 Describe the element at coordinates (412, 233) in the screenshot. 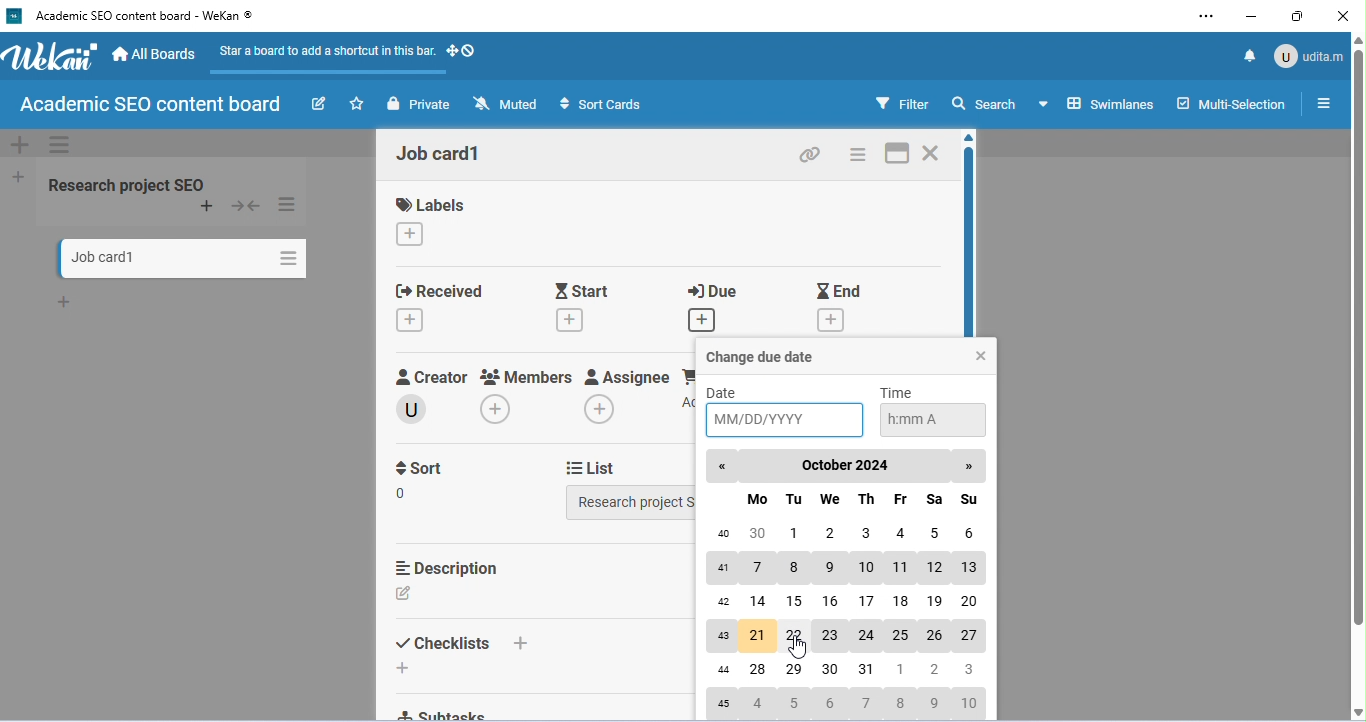

I see `change labels` at that location.